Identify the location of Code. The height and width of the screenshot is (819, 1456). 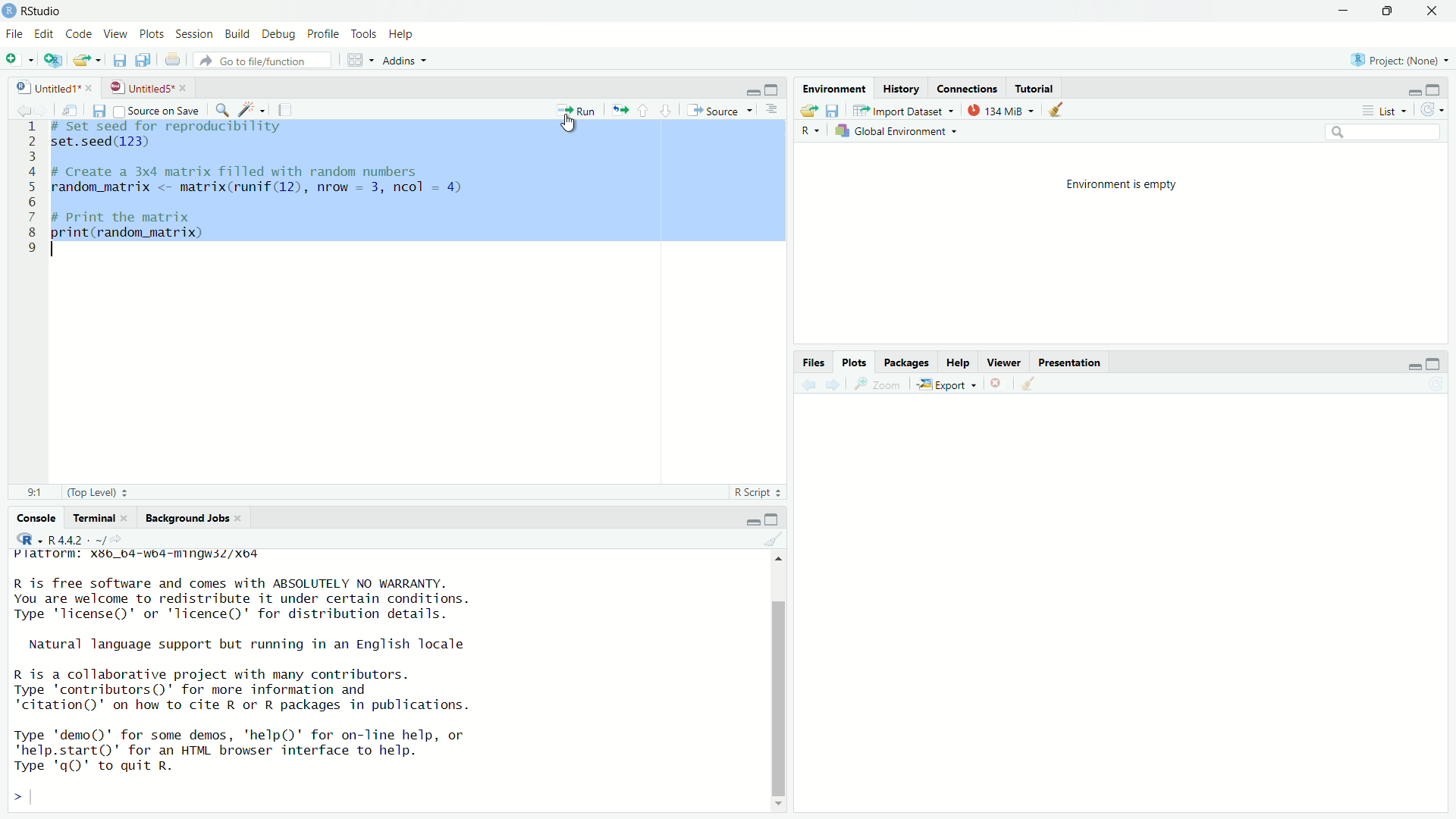
(80, 35).